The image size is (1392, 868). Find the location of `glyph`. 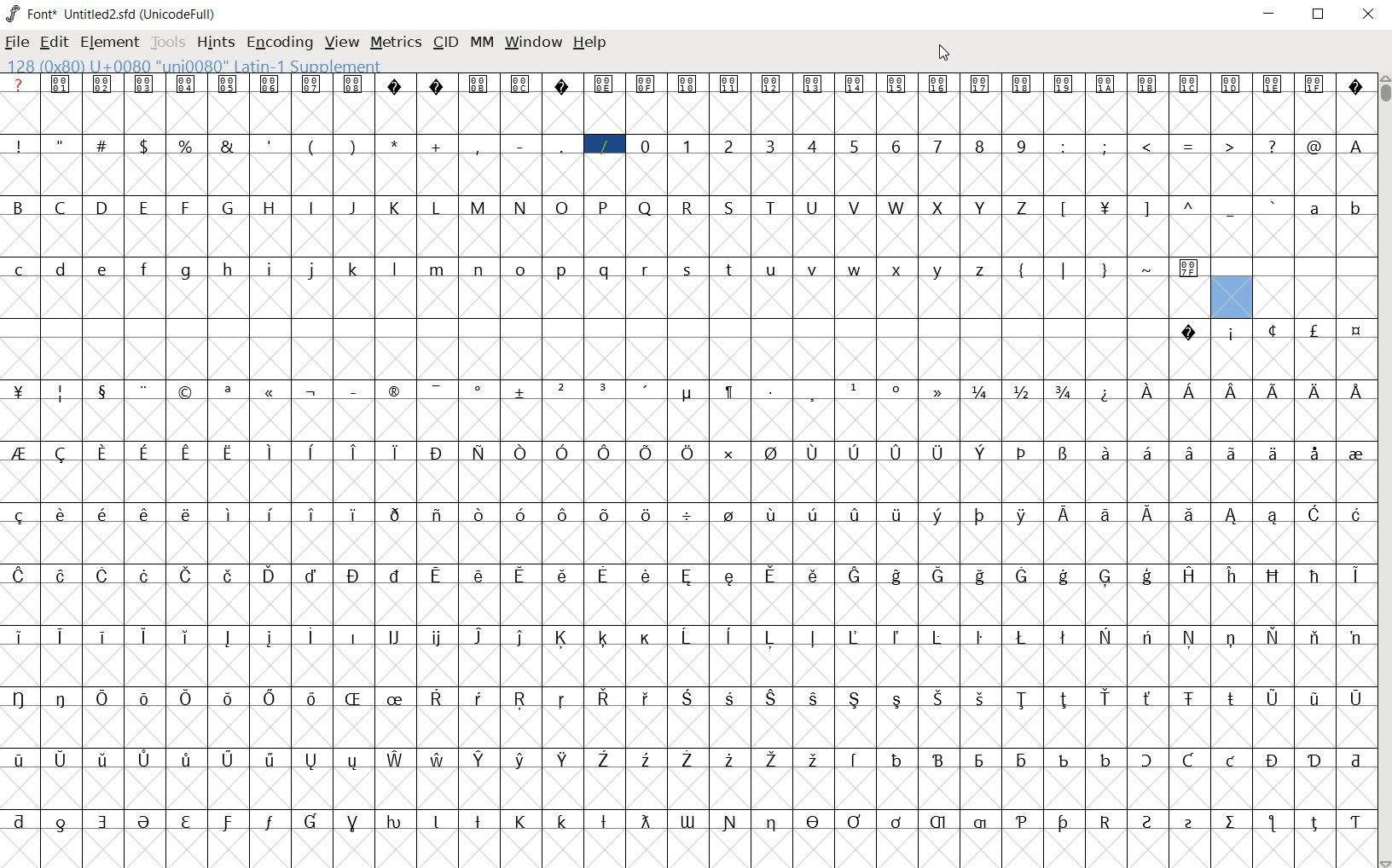

glyph is located at coordinates (271, 453).